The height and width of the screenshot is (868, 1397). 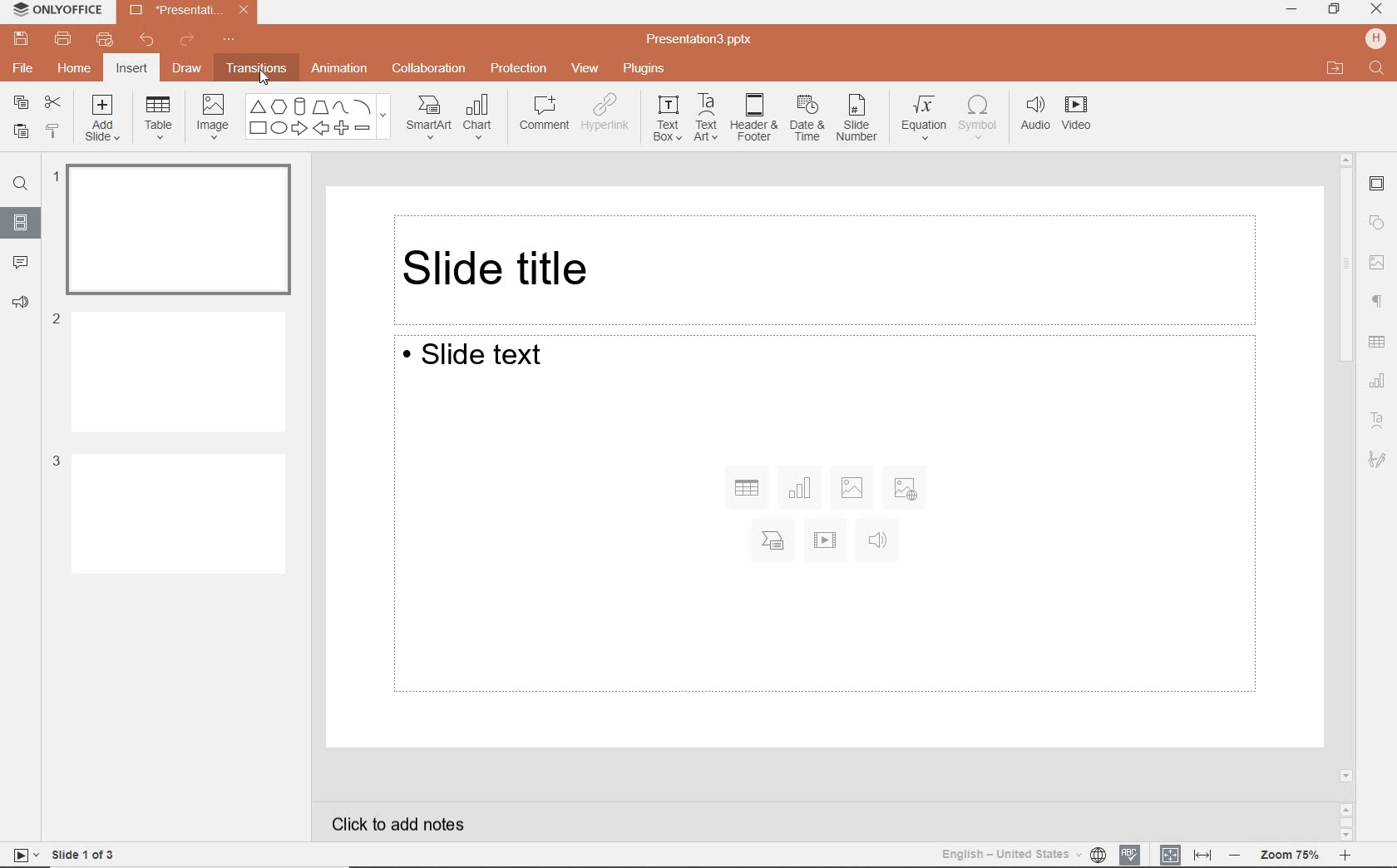 I want to click on chart settings, so click(x=1377, y=381).